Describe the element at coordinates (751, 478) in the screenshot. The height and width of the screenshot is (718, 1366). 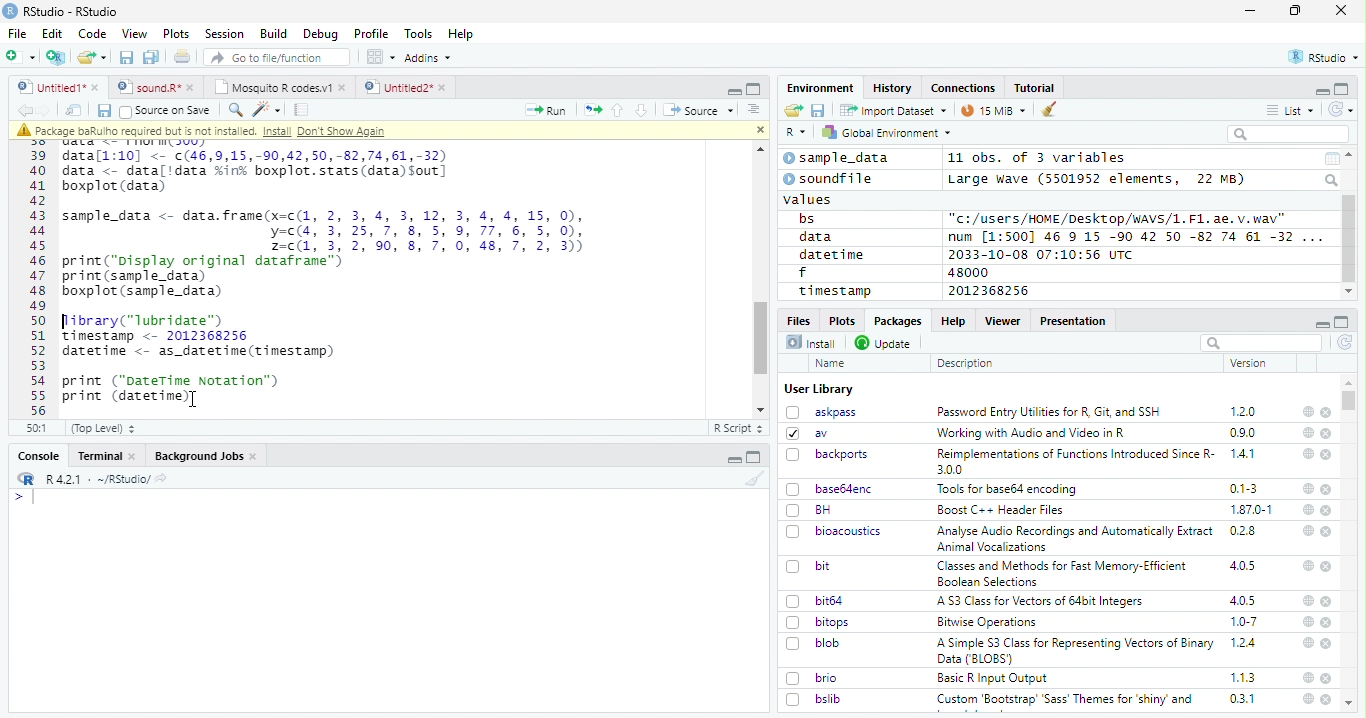
I see `clear workspace` at that location.